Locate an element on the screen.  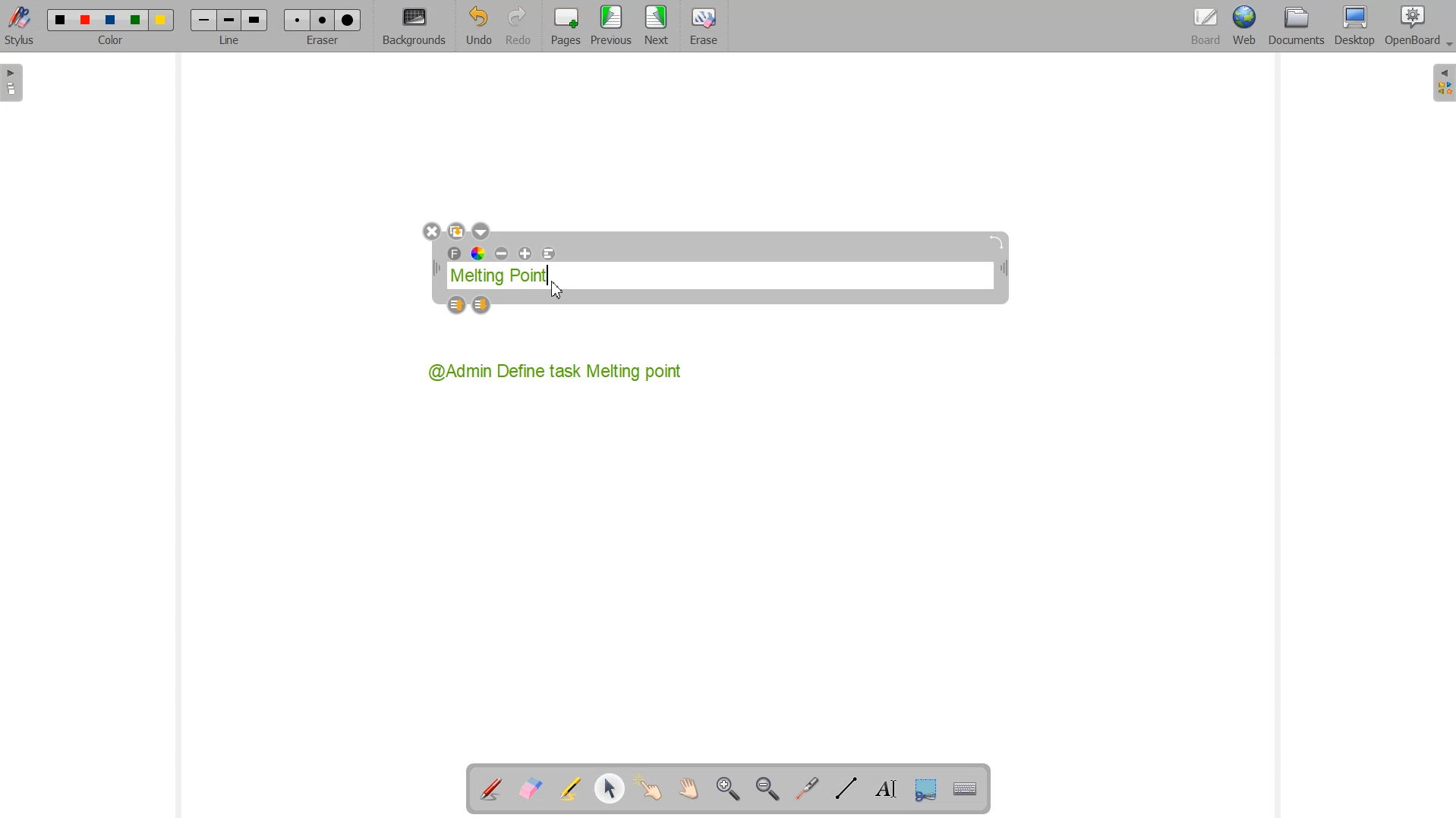
Annotate Document is located at coordinates (490, 789).